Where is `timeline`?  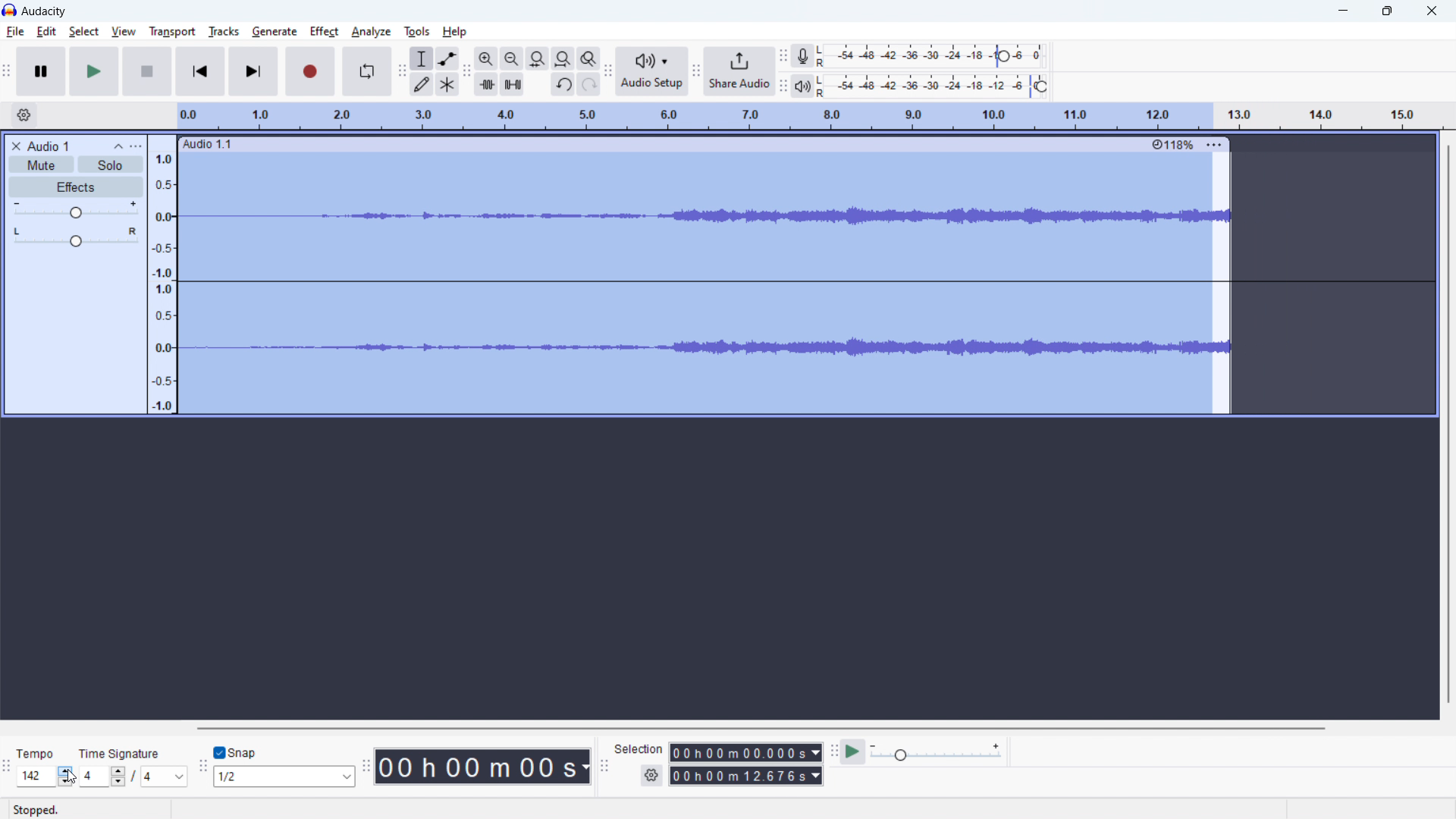 timeline is located at coordinates (807, 116).